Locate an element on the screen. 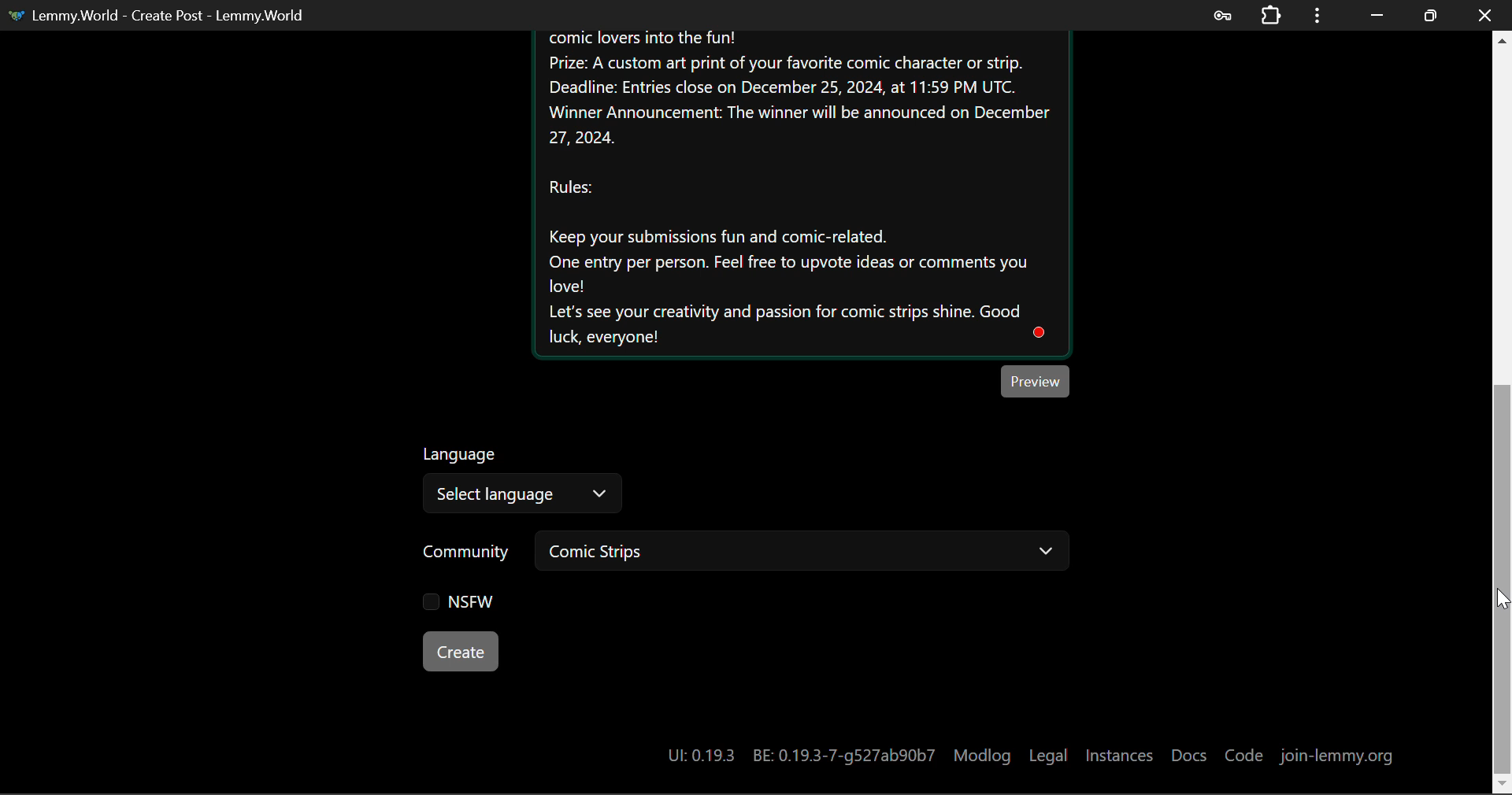  Saved Password Data is located at coordinates (1221, 15).